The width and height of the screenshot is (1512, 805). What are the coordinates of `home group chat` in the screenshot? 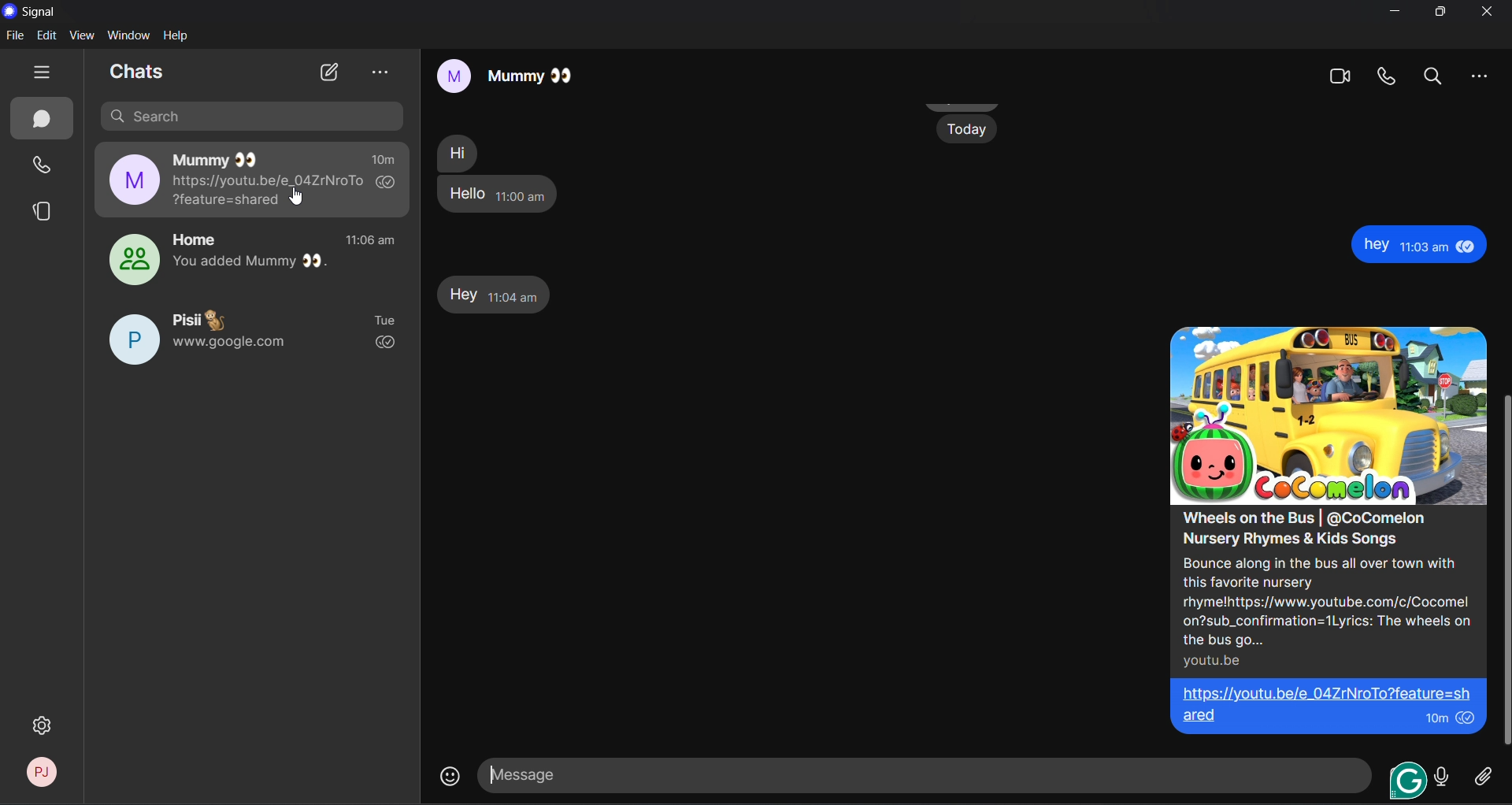 It's located at (252, 258).